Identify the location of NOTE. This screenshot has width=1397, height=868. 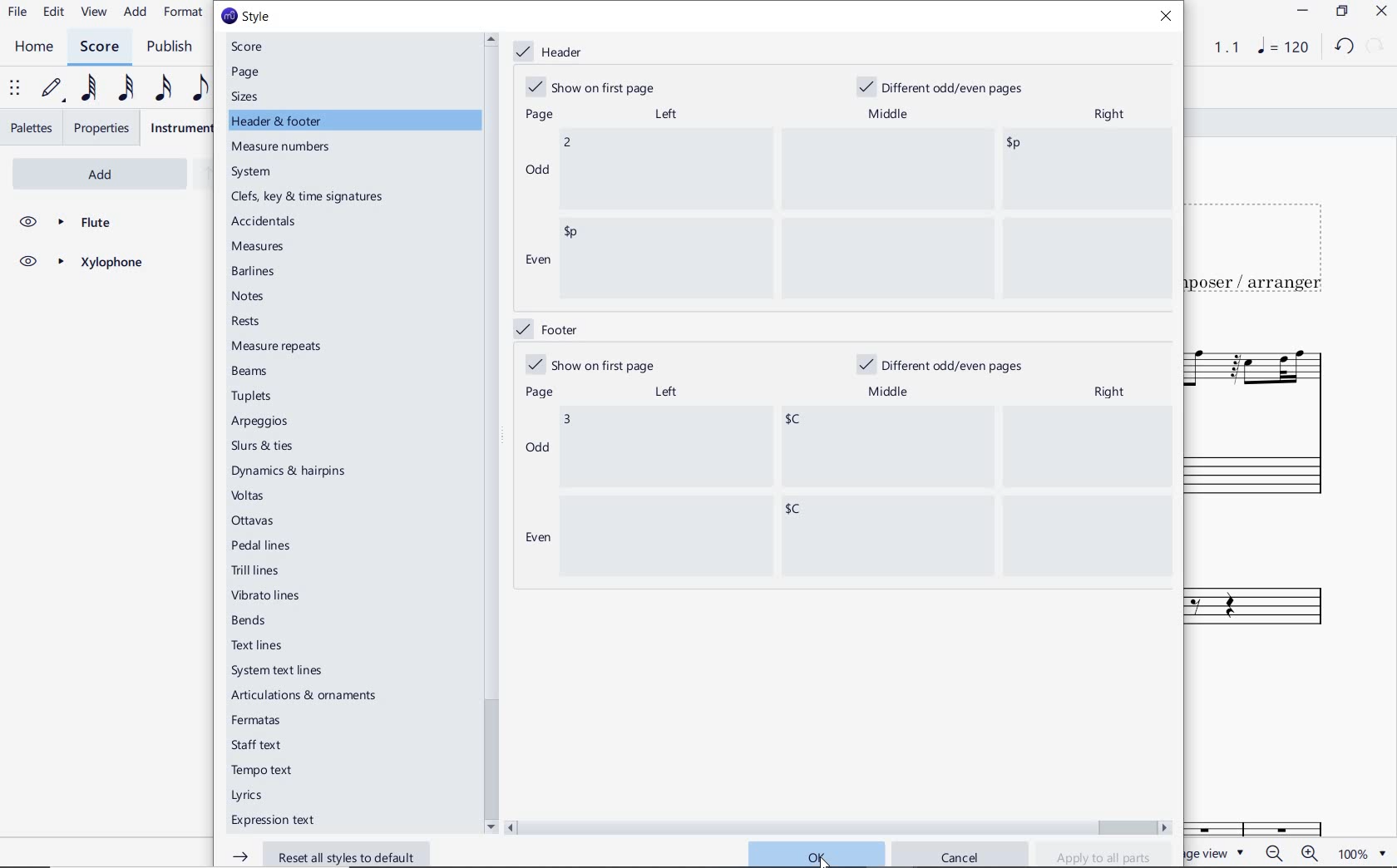
(1281, 48).